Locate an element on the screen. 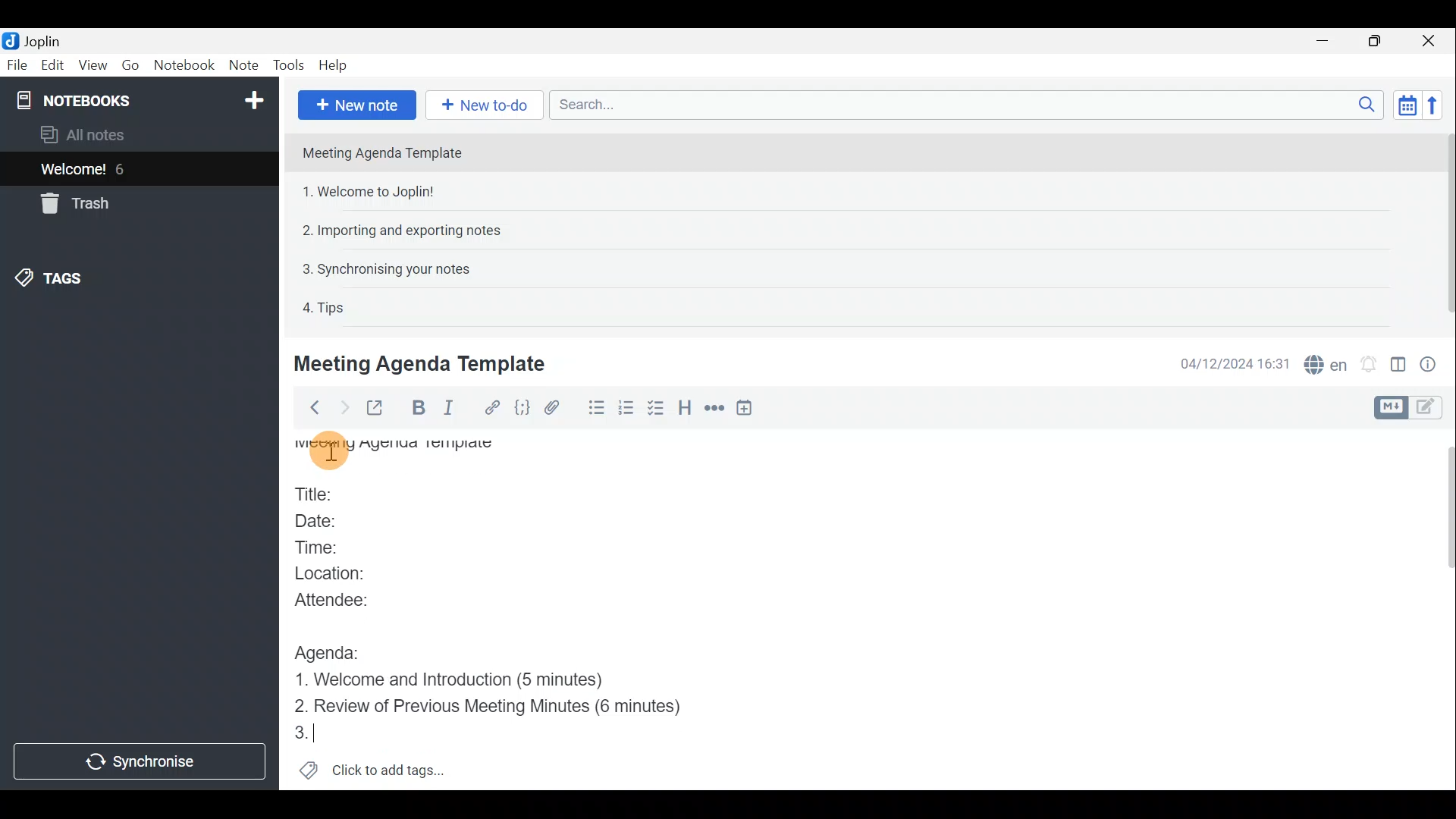 This screenshot has height=819, width=1456. Numbered list is located at coordinates (626, 410).